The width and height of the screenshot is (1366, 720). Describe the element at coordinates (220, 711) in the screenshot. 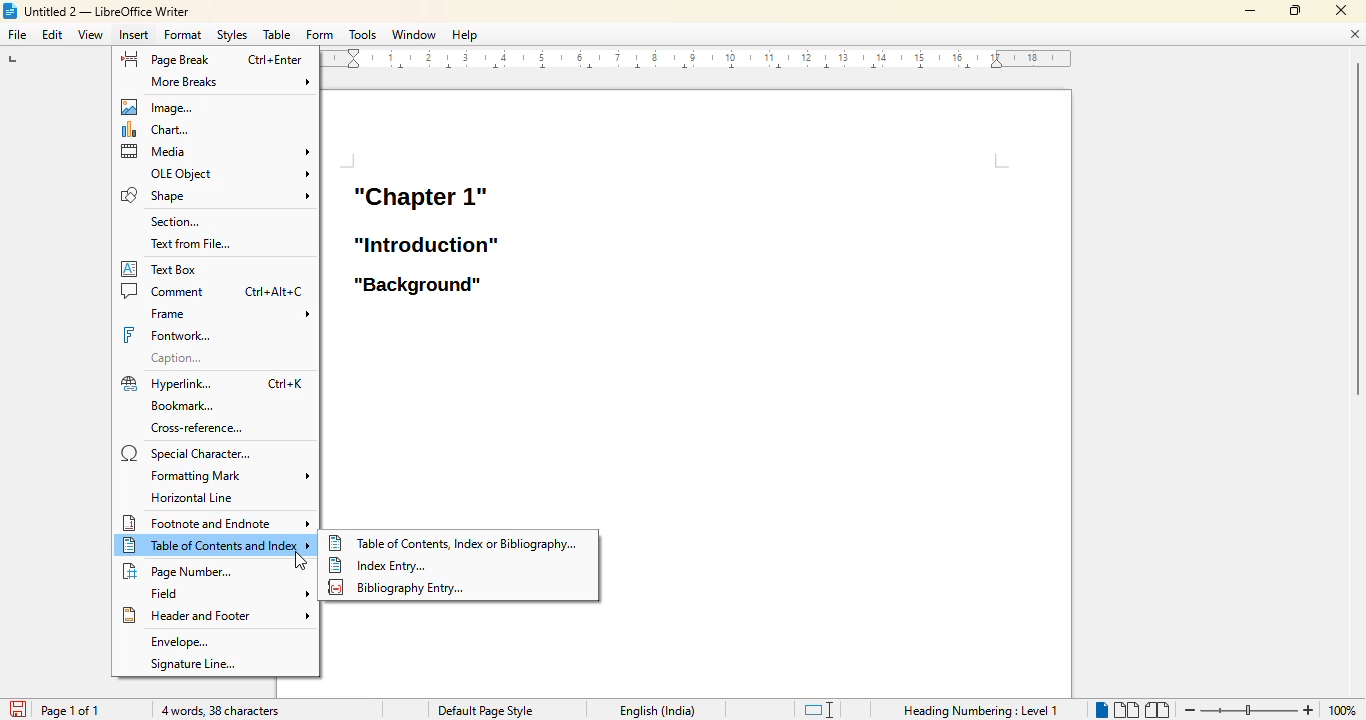

I see `4 words, 38 characters` at that location.